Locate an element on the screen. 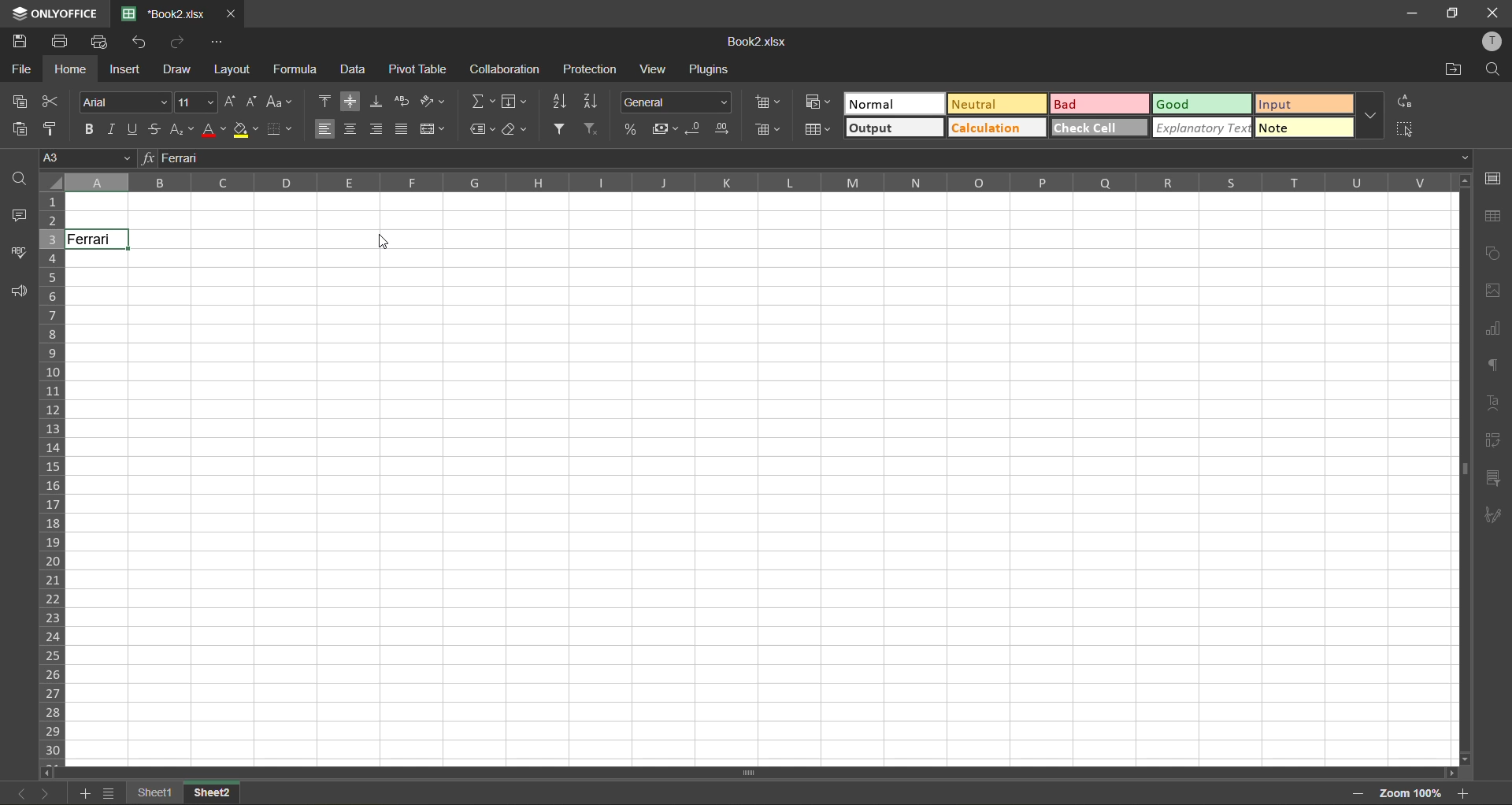 The width and height of the screenshot is (1512, 805). view is located at coordinates (657, 69).